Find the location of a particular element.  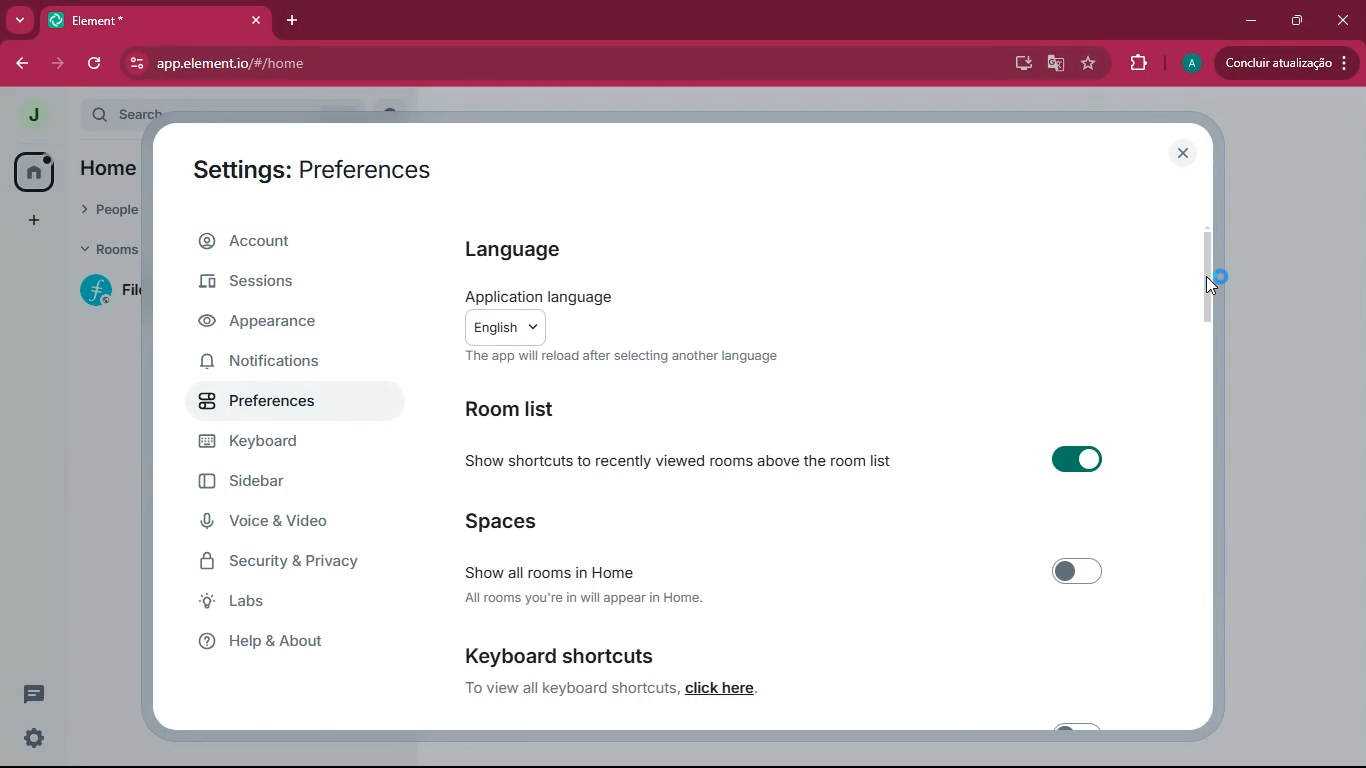

Show all rooms in Home is located at coordinates (590, 568).